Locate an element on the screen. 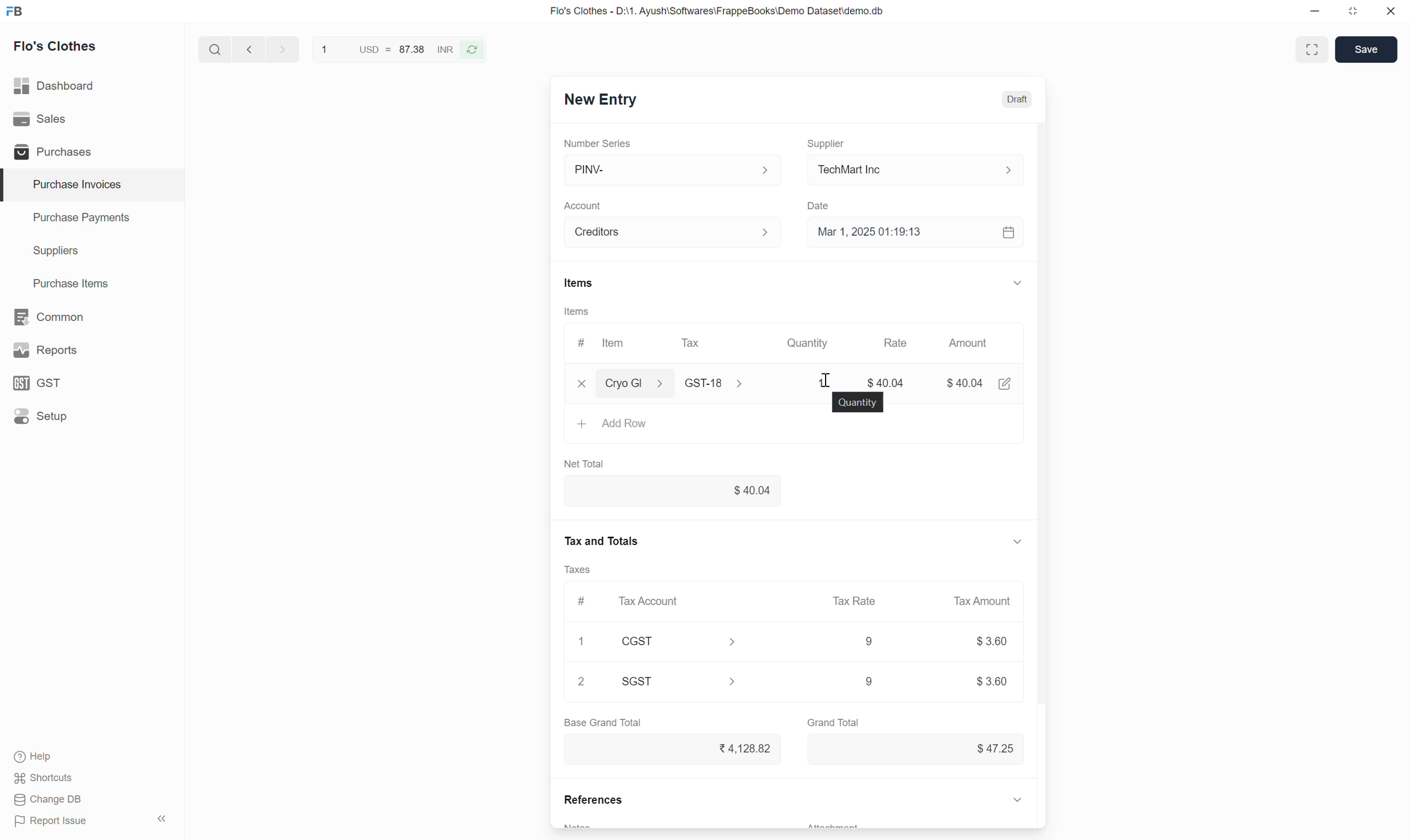  Purchase Items is located at coordinates (65, 281).